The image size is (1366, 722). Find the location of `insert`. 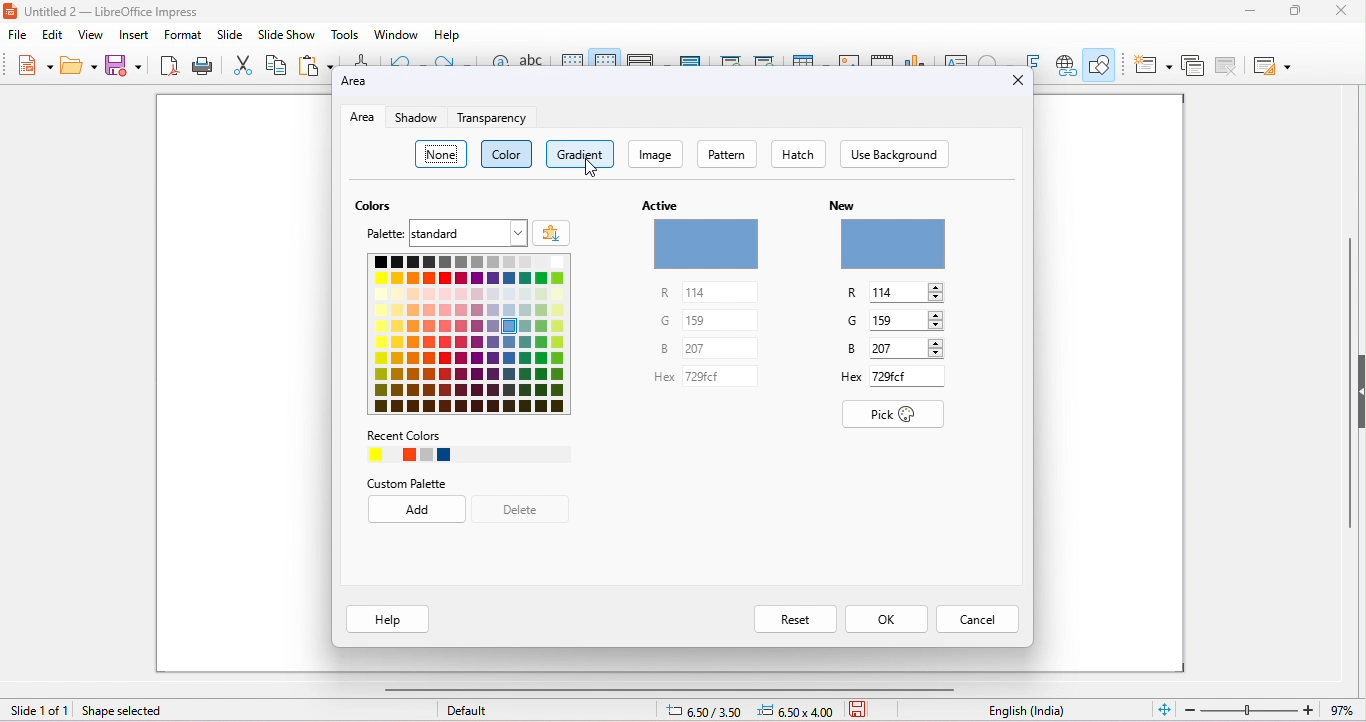

insert is located at coordinates (132, 34).